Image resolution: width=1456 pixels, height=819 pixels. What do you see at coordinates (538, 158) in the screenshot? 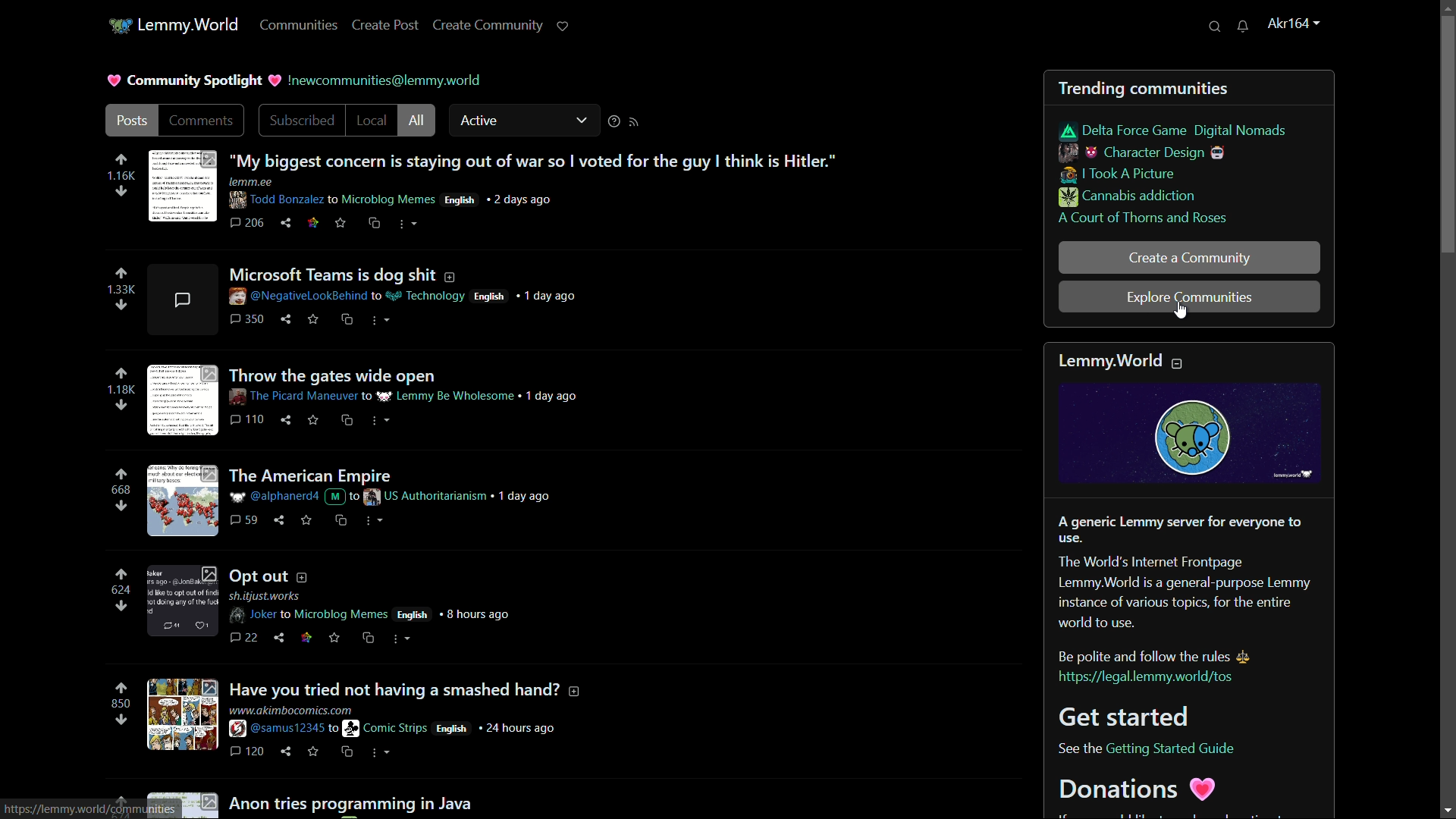
I see `post-1` at bounding box center [538, 158].